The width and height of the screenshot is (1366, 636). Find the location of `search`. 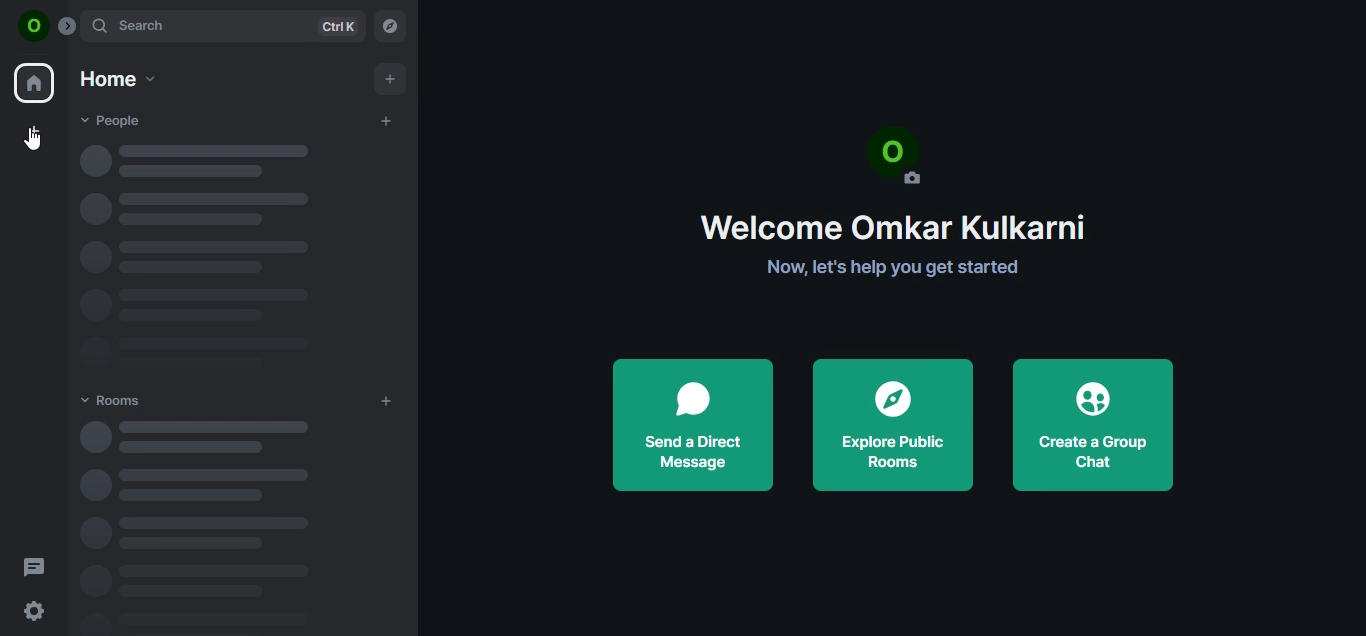

search is located at coordinates (221, 27).